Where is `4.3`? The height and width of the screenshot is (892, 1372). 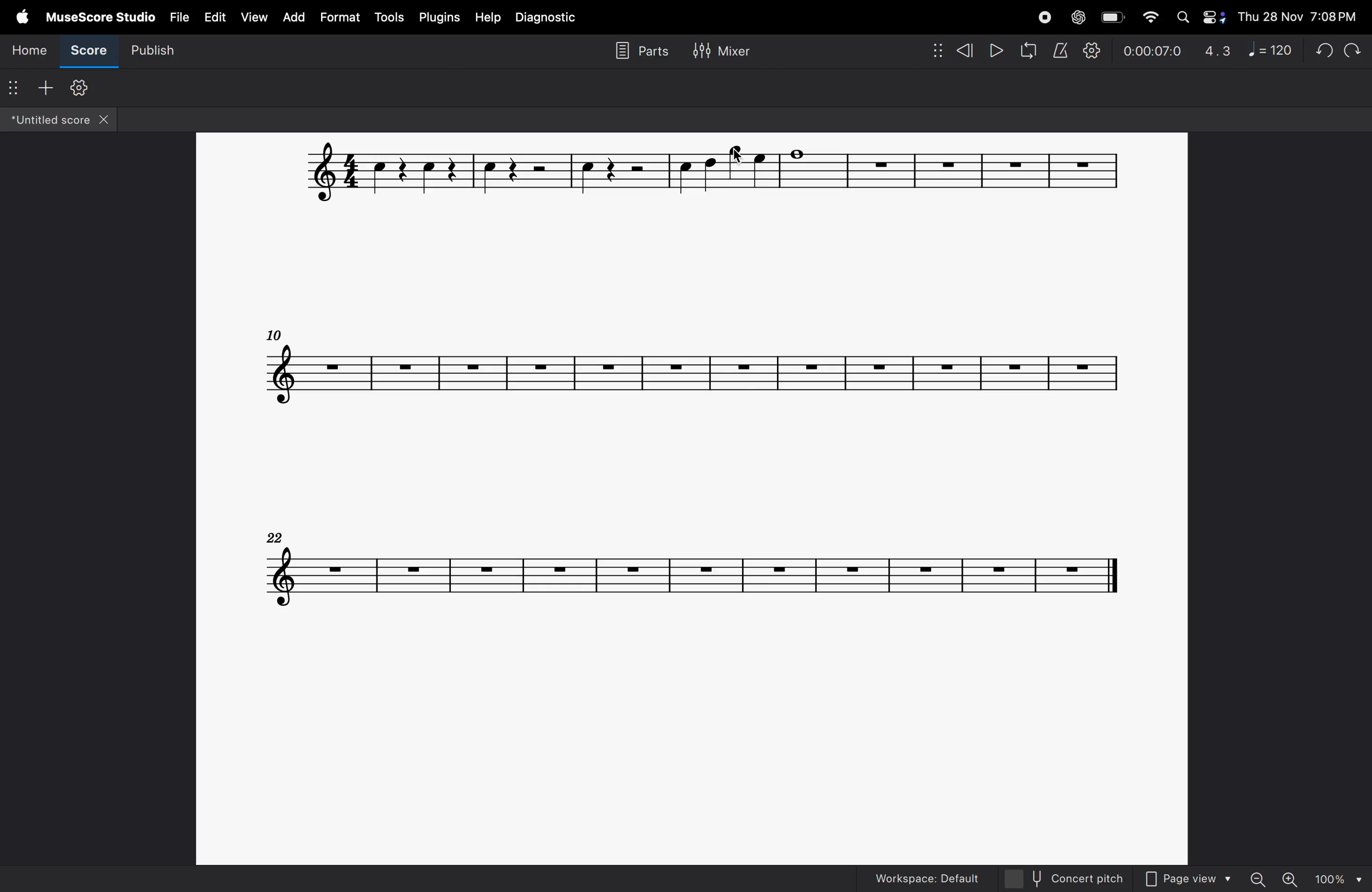
4.3 is located at coordinates (1219, 49).